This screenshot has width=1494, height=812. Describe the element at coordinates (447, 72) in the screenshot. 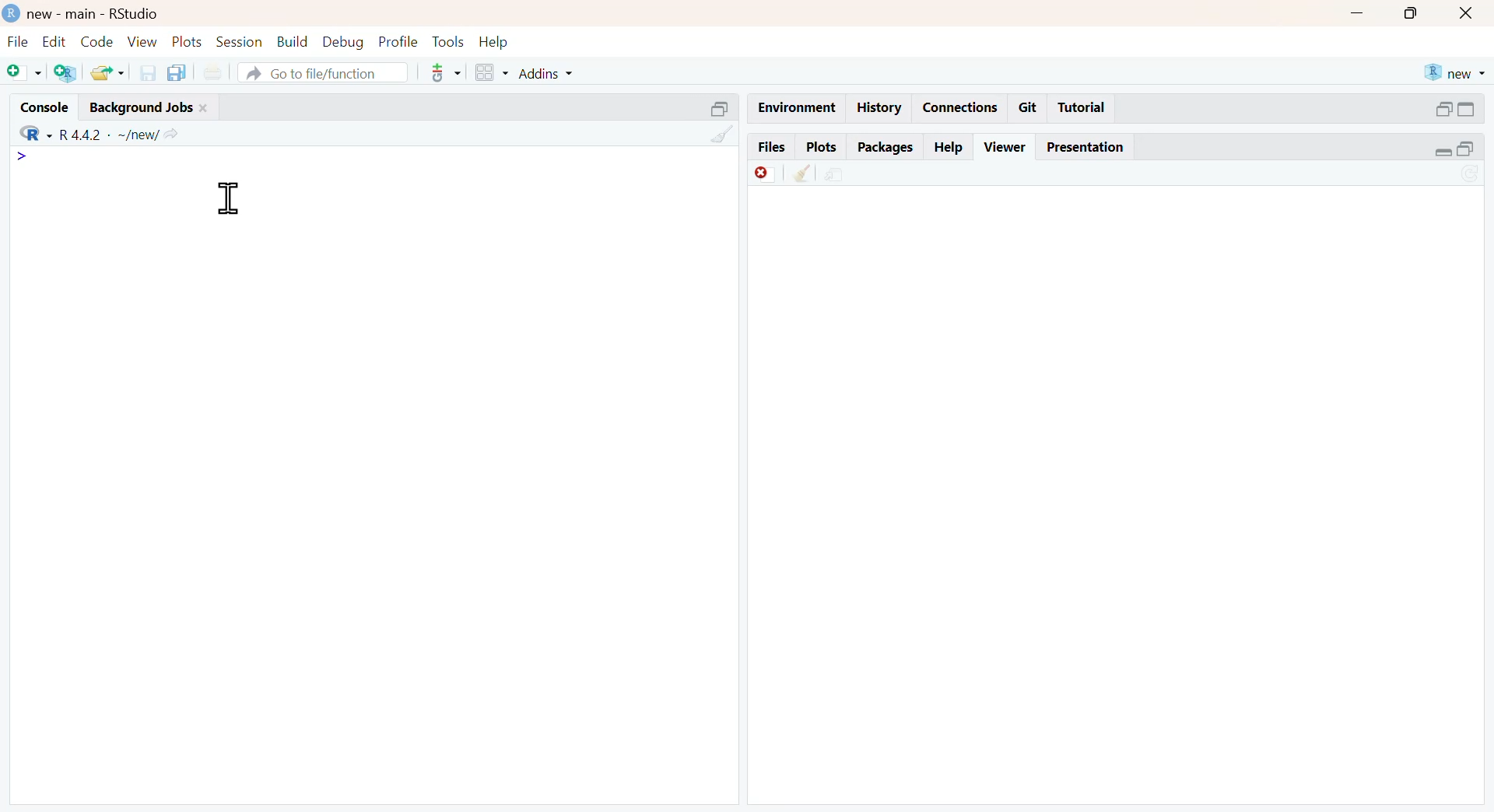

I see `tools` at that location.